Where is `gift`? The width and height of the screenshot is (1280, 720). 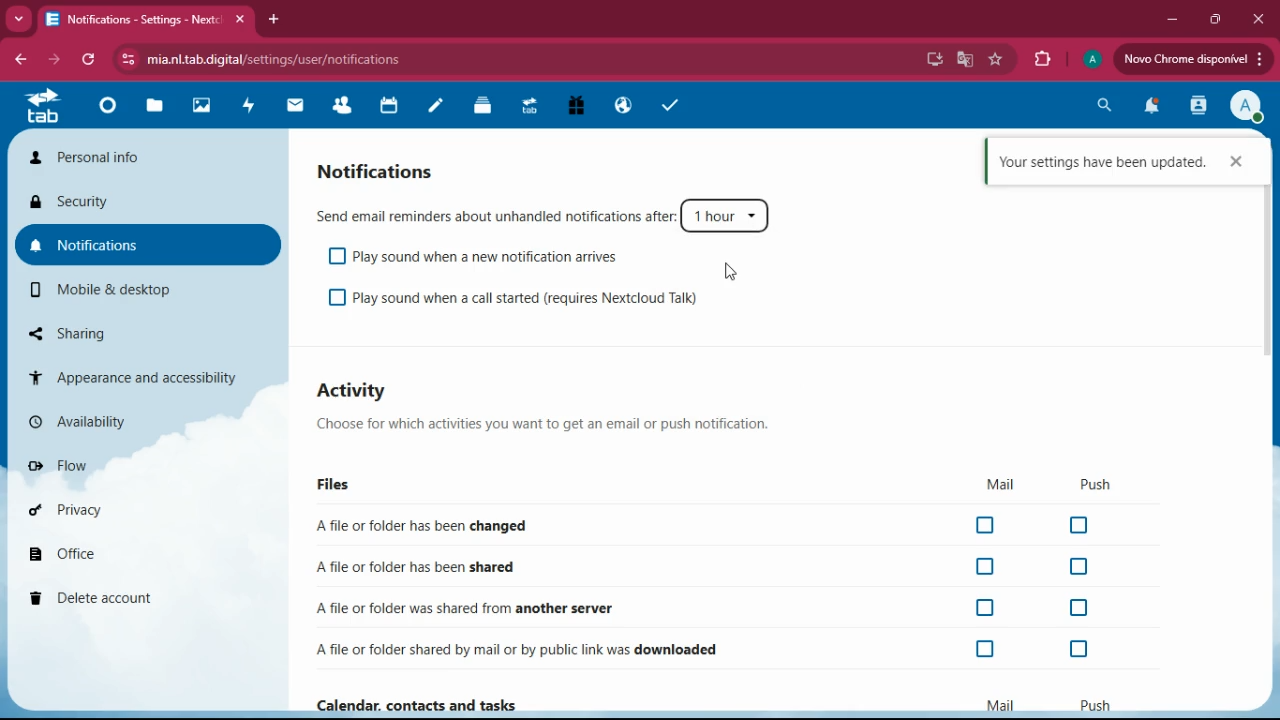 gift is located at coordinates (577, 106).